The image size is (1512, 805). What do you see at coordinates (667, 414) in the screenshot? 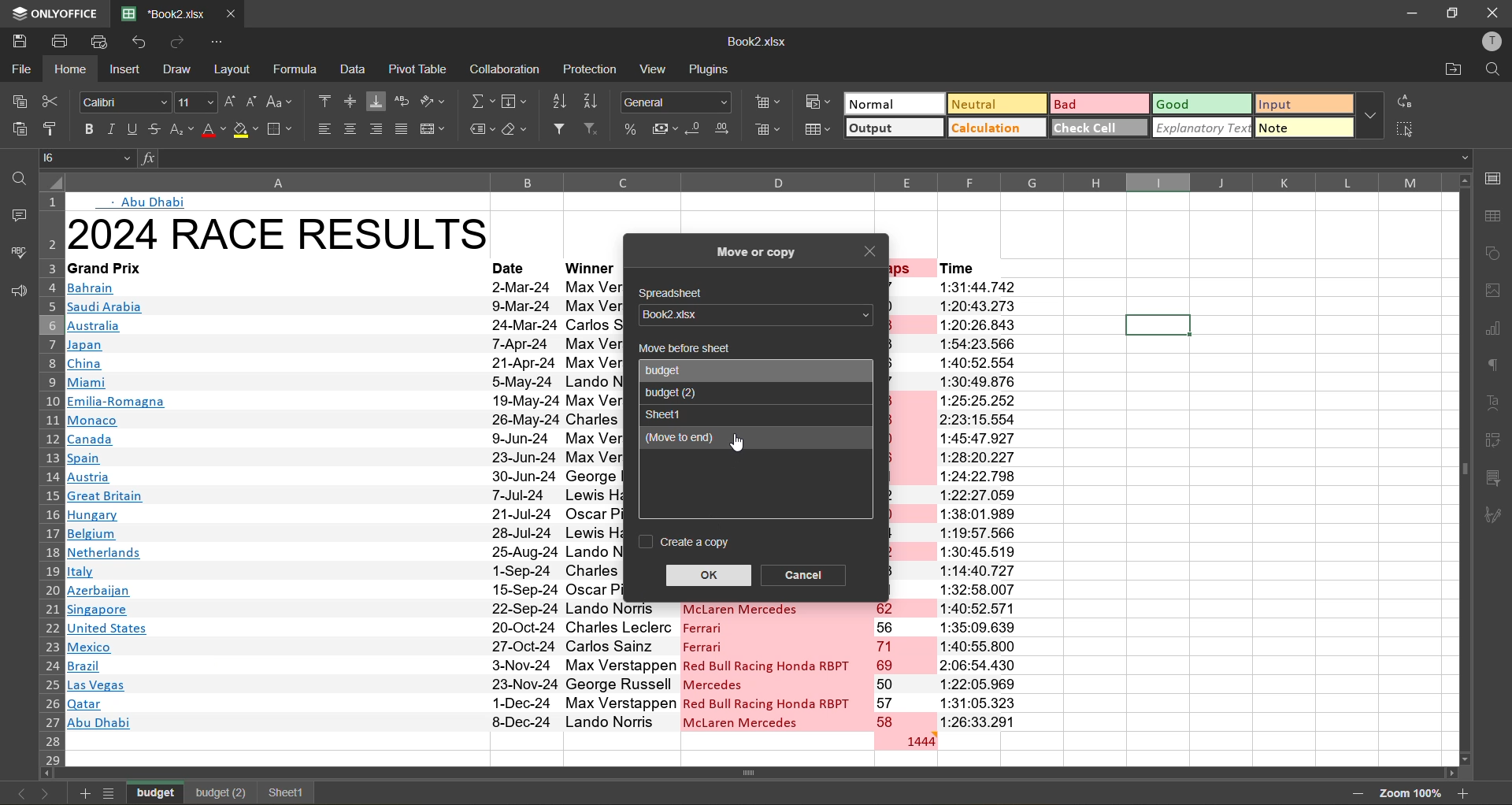
I see `sheet name` at bounding box center [667, 414].